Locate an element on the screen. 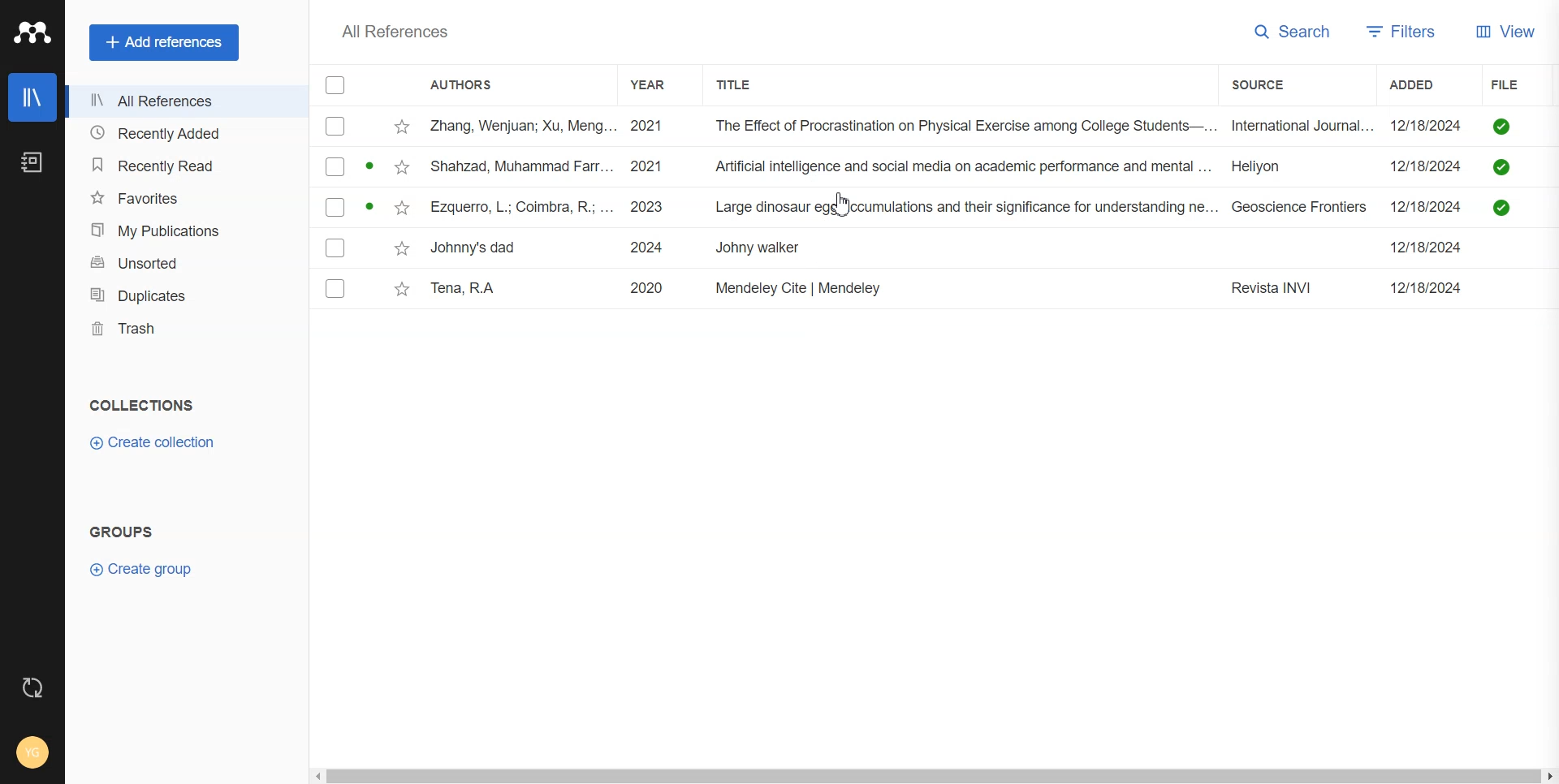  Checkbox is located at coordinates (336, 288).